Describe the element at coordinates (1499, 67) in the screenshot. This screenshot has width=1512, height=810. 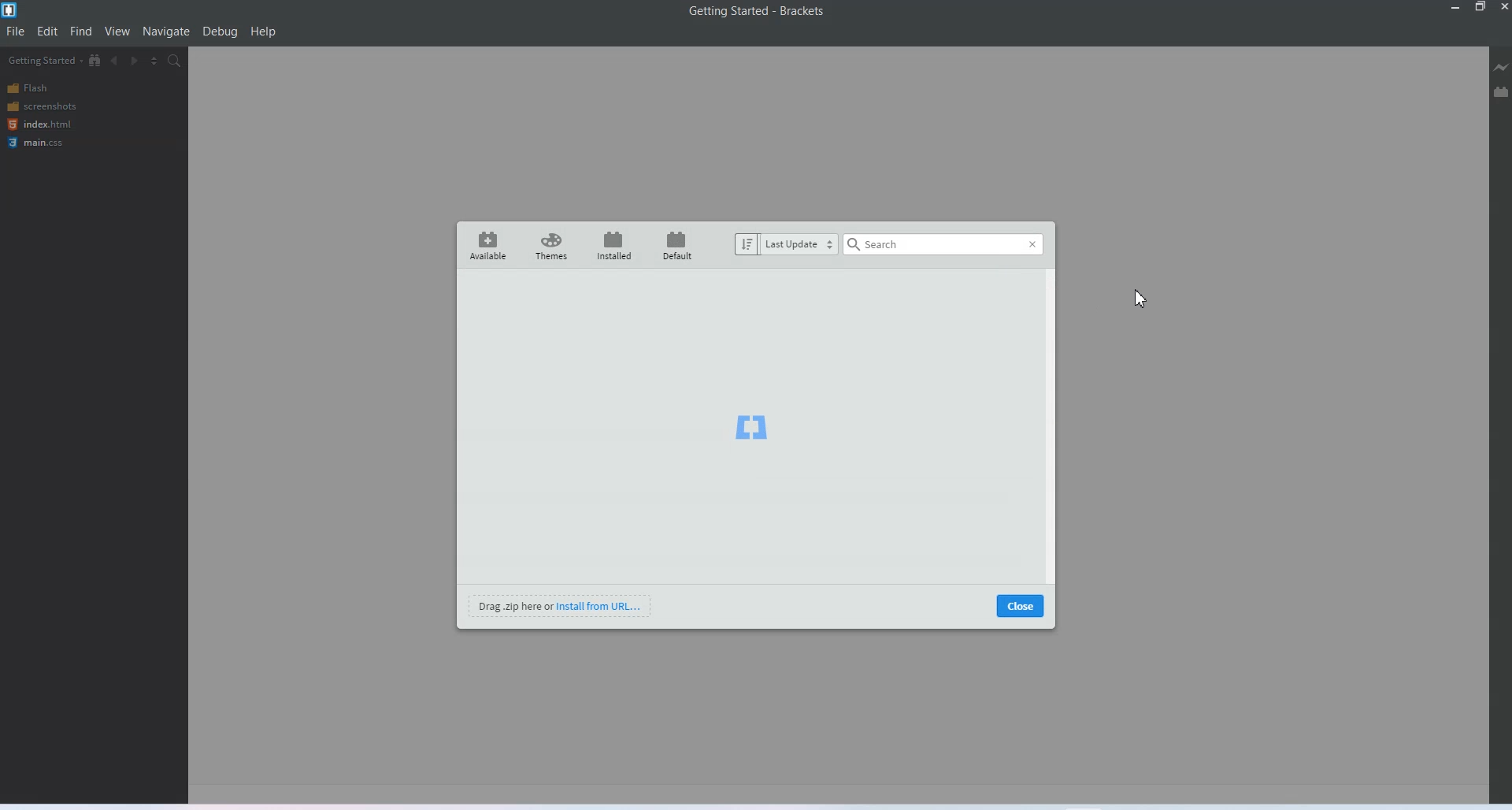
I see `Live Preview` at that location.